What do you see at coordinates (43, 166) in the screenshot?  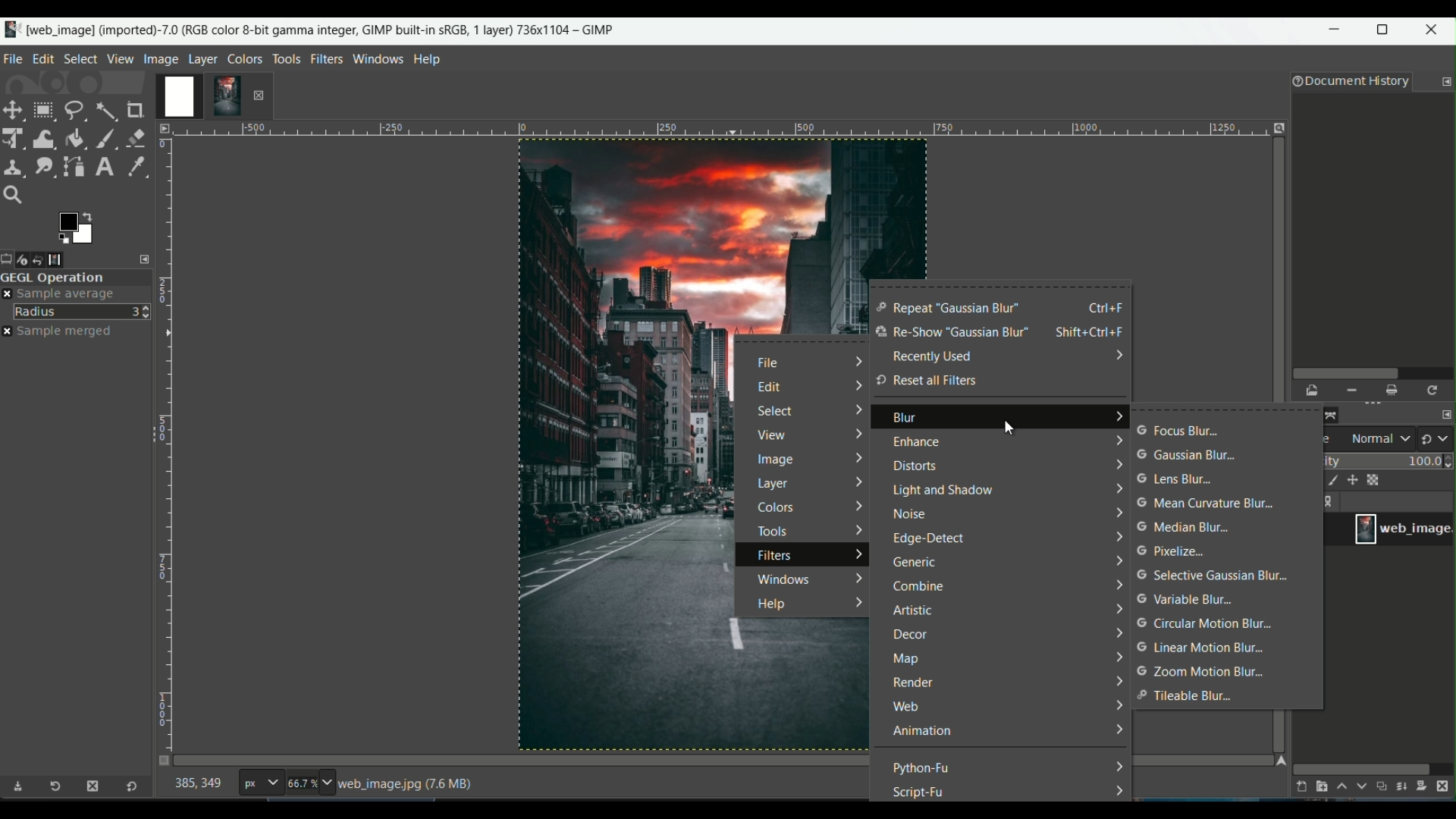 I see `smudge tool` at bounding box center [43, 166].